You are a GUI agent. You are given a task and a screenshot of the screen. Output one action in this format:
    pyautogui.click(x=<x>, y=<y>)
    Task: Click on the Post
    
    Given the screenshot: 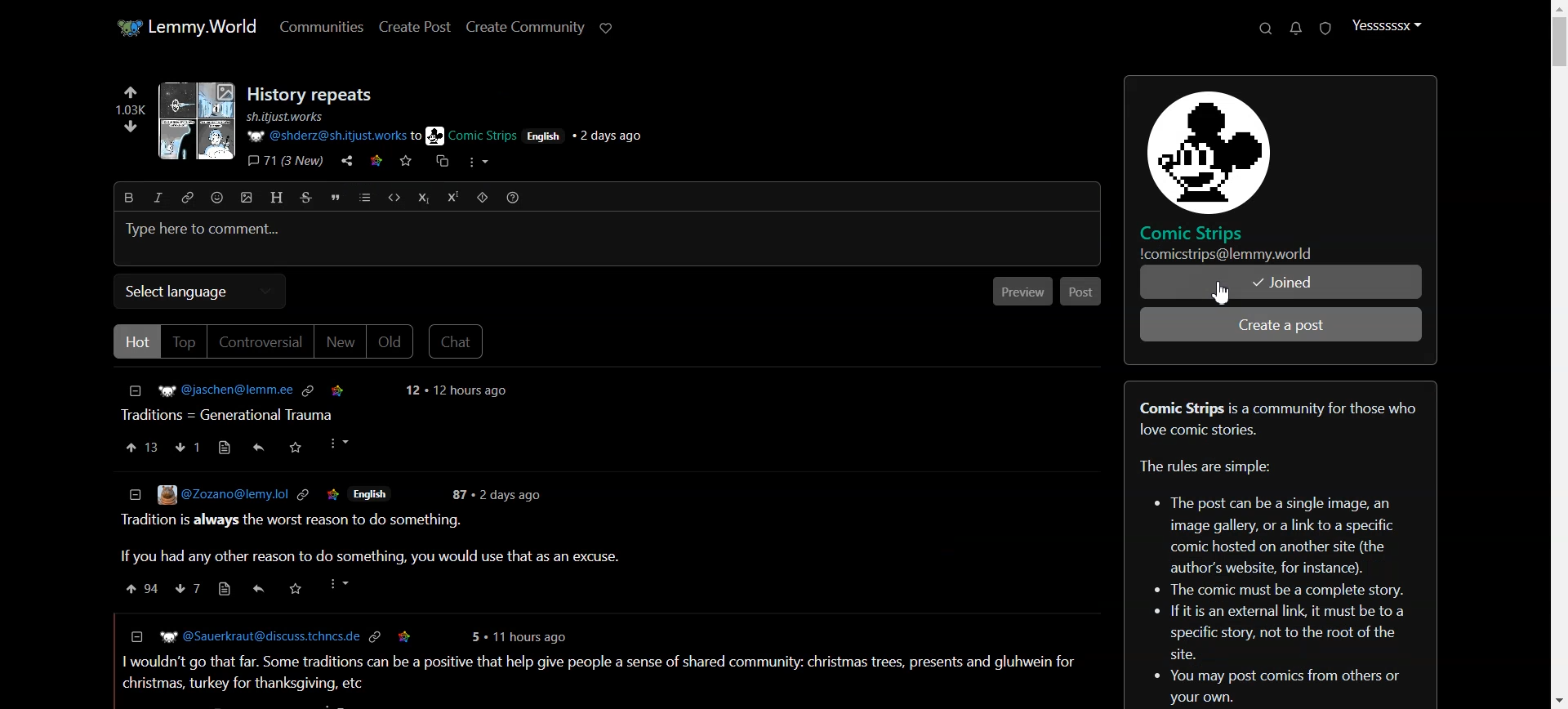 What is the action you would take?
    pyautogui.click(x=1081, y=290)
    